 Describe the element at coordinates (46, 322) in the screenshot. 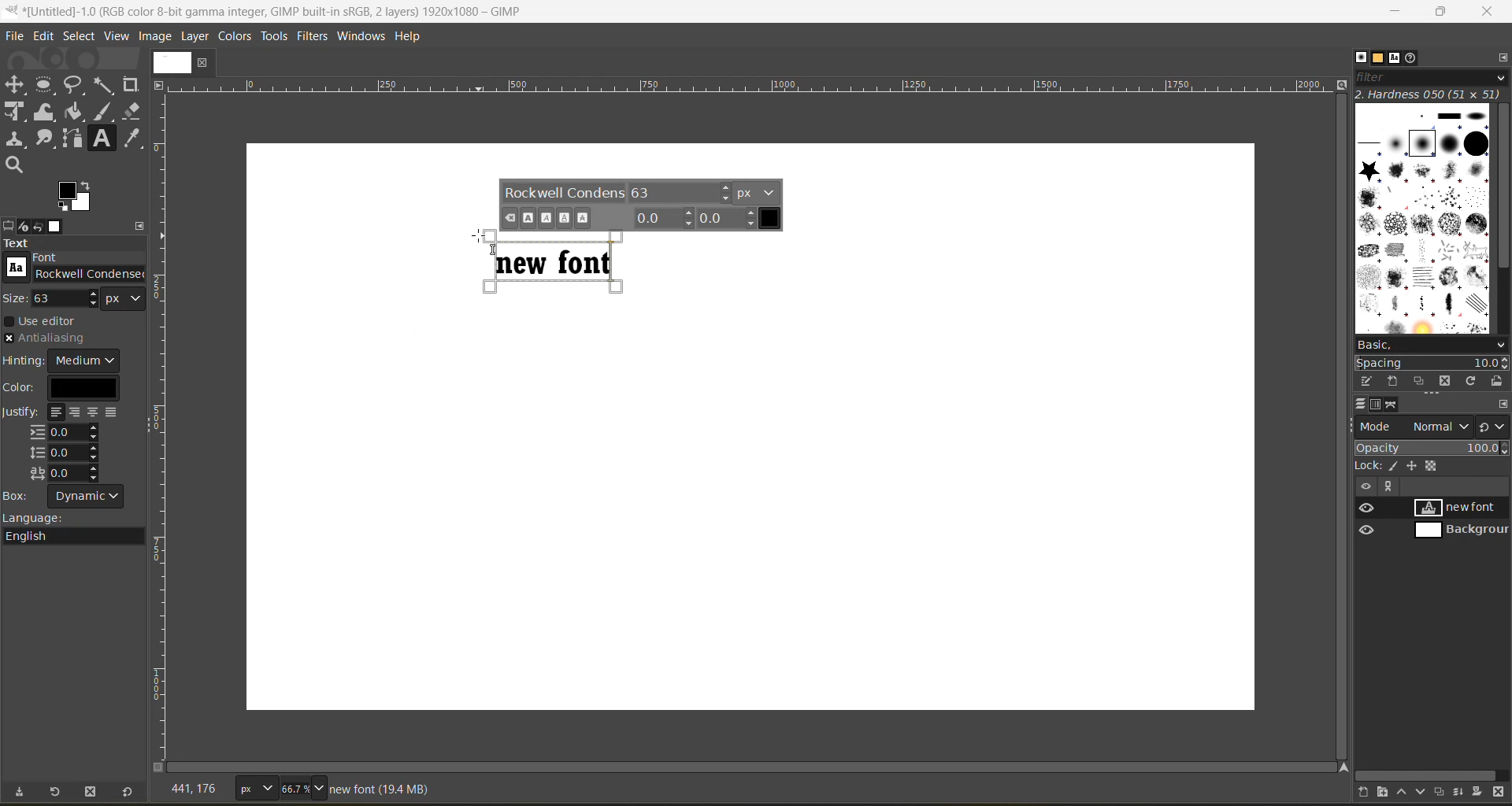

I see `use editor` at that location.